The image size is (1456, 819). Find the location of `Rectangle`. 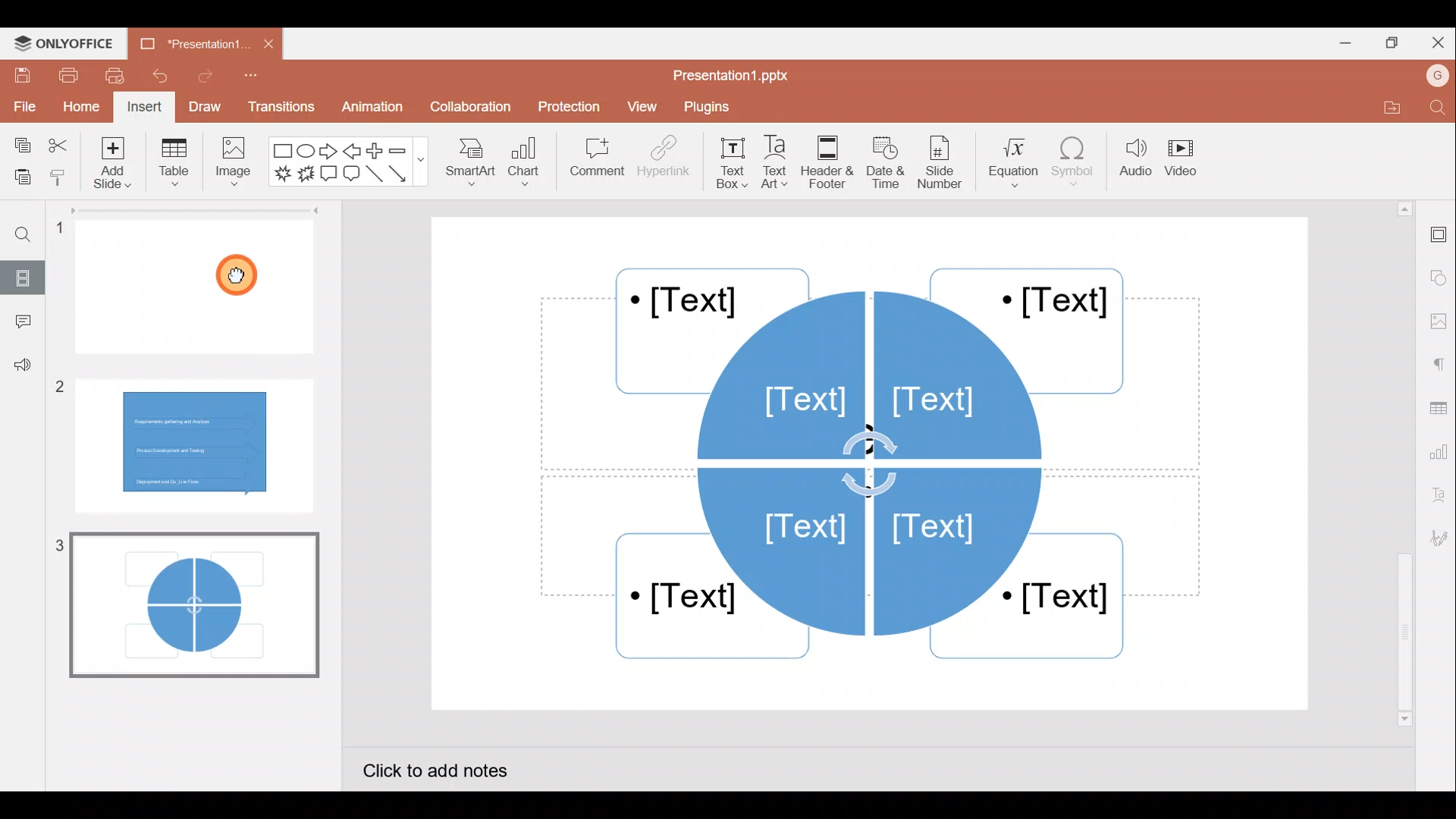

Rectangle is located at coordinates (279, 151).